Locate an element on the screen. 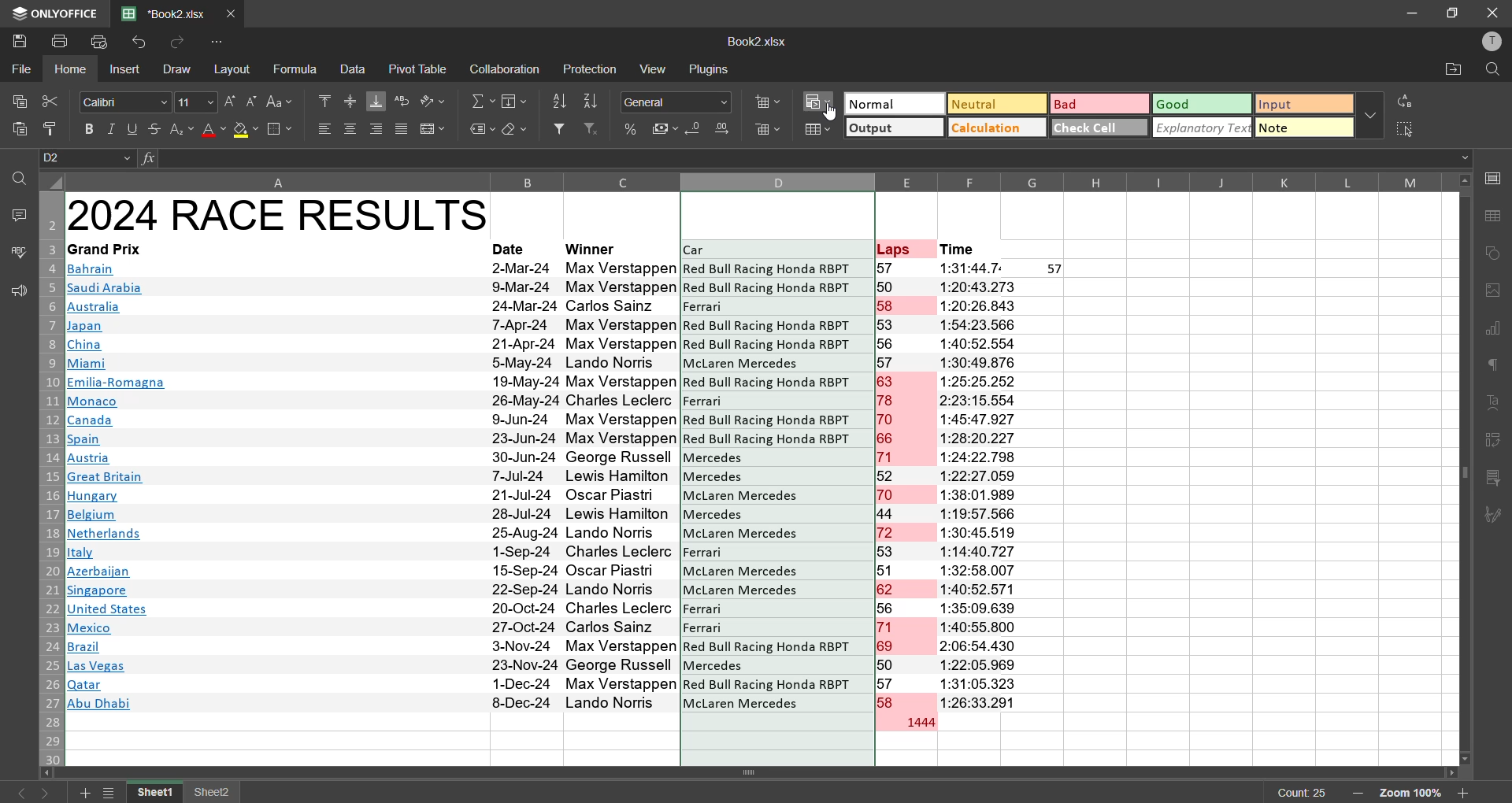 Image resolution: width=1512 pixels, height=803 pixels. wrap text is located at coordinates (402, 102).